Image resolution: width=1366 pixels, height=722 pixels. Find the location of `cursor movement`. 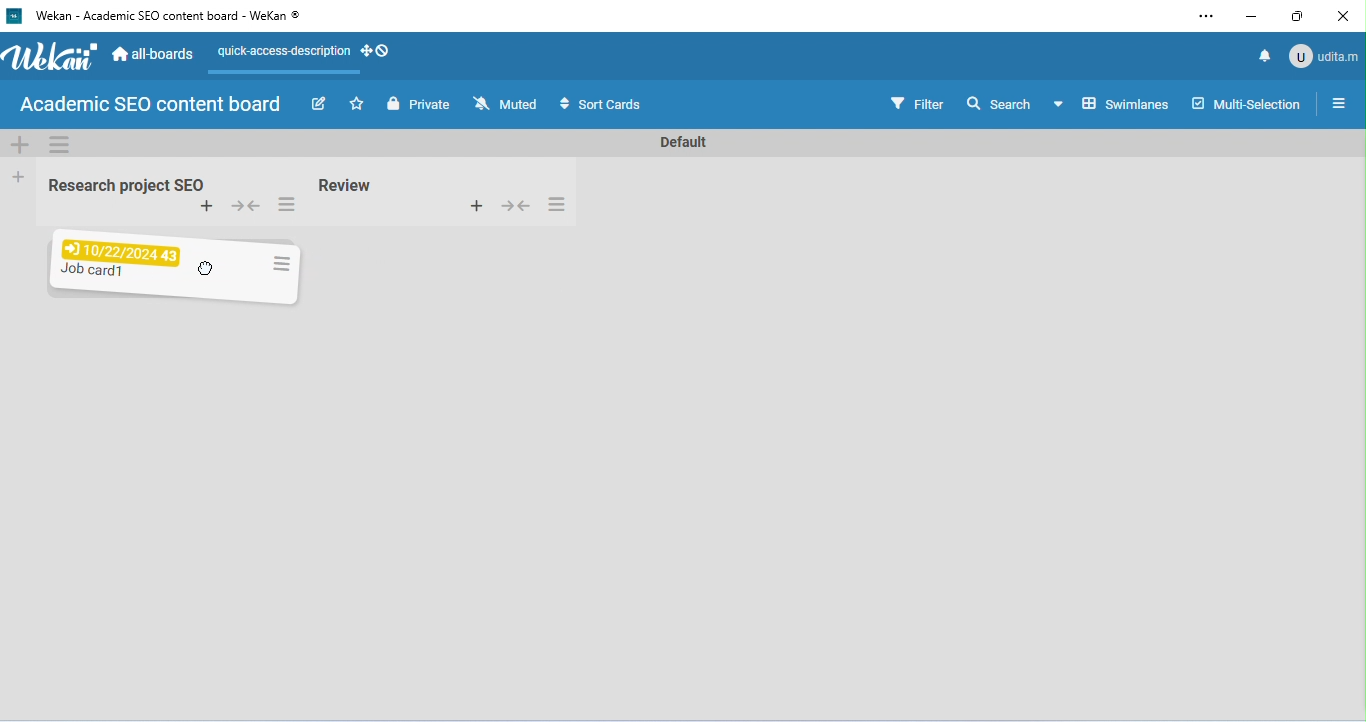

cursor movement is located at coordinates (209, 269).